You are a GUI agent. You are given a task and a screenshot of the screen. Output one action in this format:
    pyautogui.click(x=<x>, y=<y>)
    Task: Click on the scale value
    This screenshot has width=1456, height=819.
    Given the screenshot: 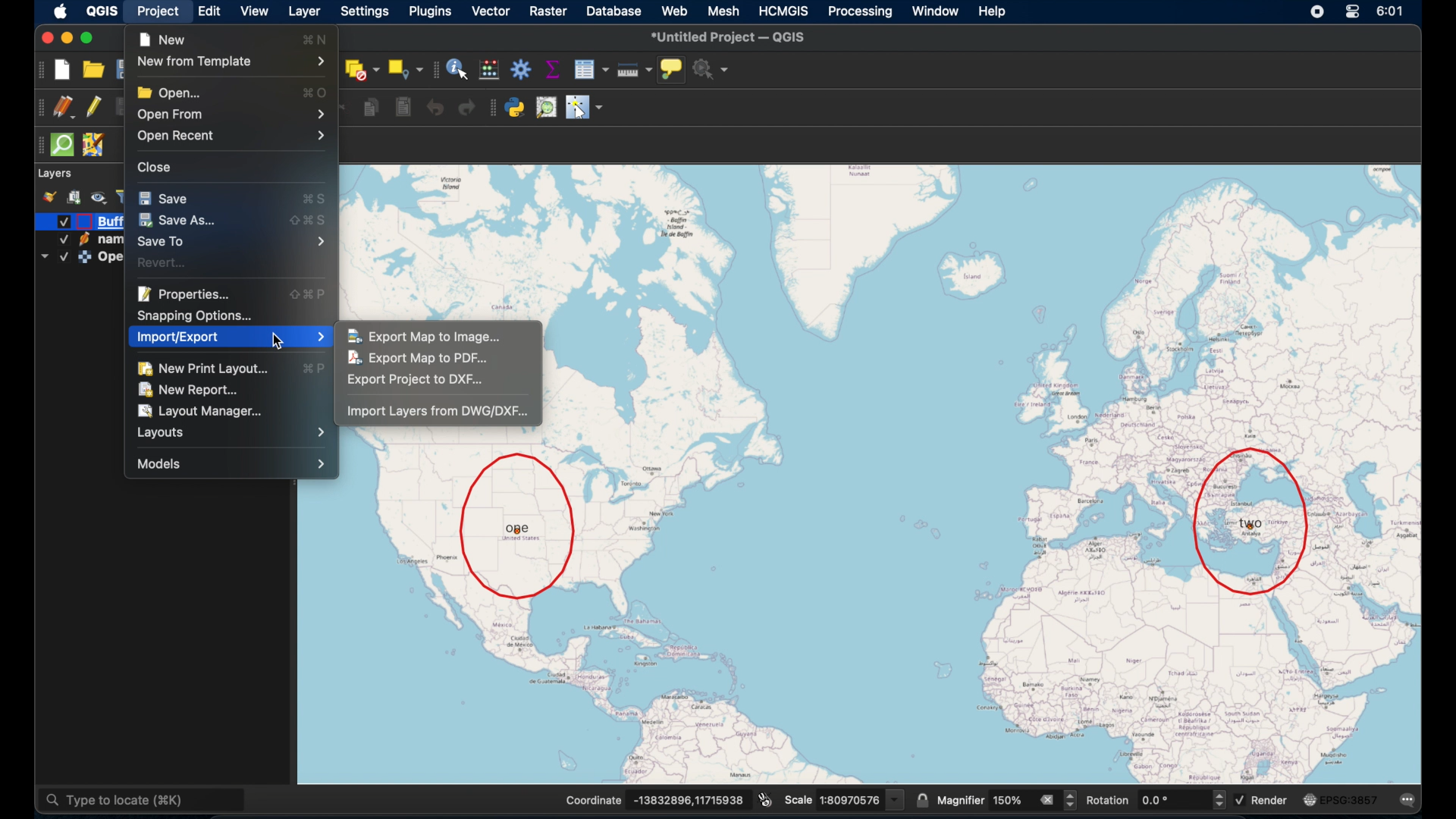 What is the action you would take?
    pyautogui.click(x=861, y=798)
    